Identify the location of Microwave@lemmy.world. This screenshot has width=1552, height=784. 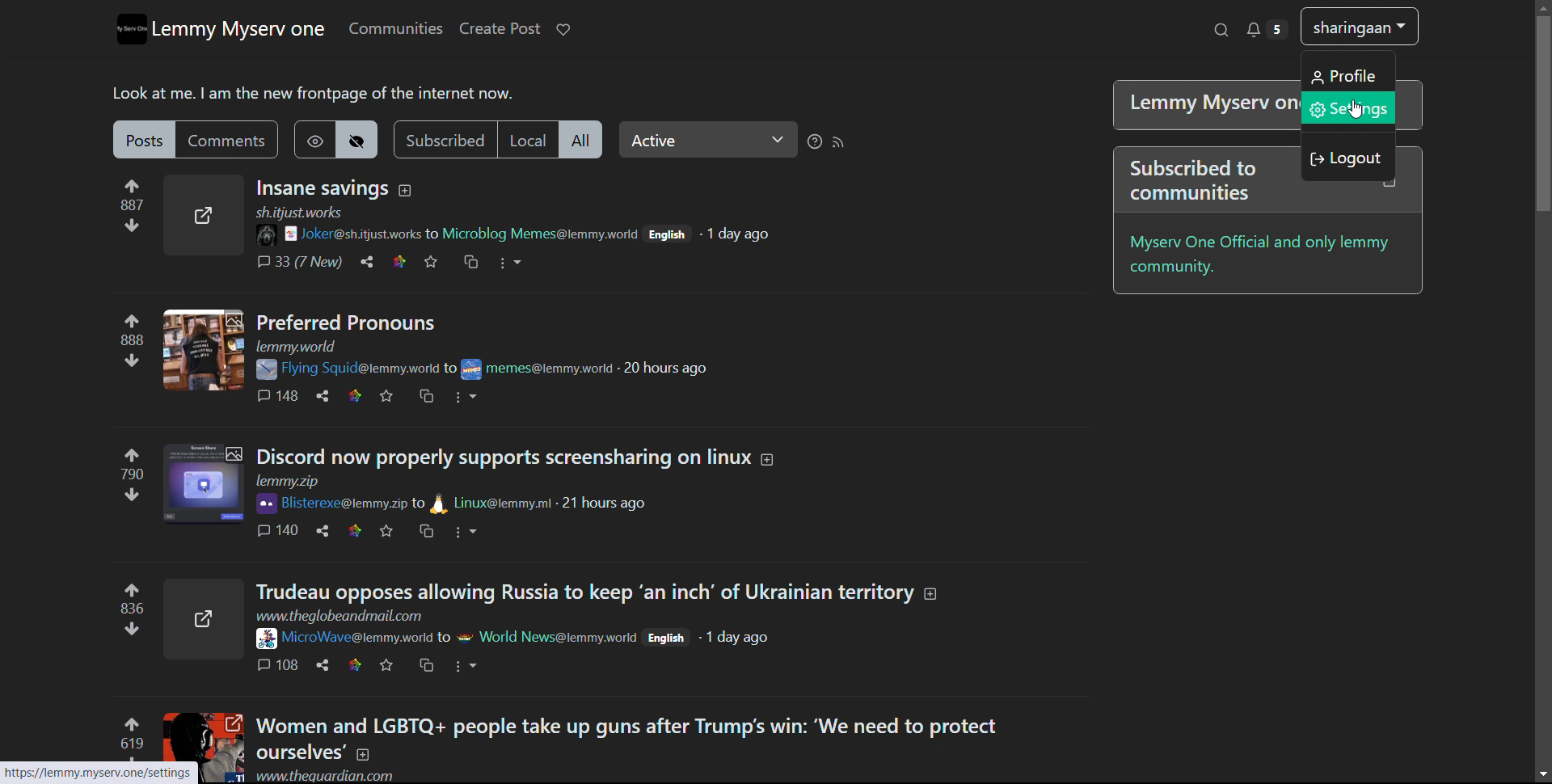
(344, 639).